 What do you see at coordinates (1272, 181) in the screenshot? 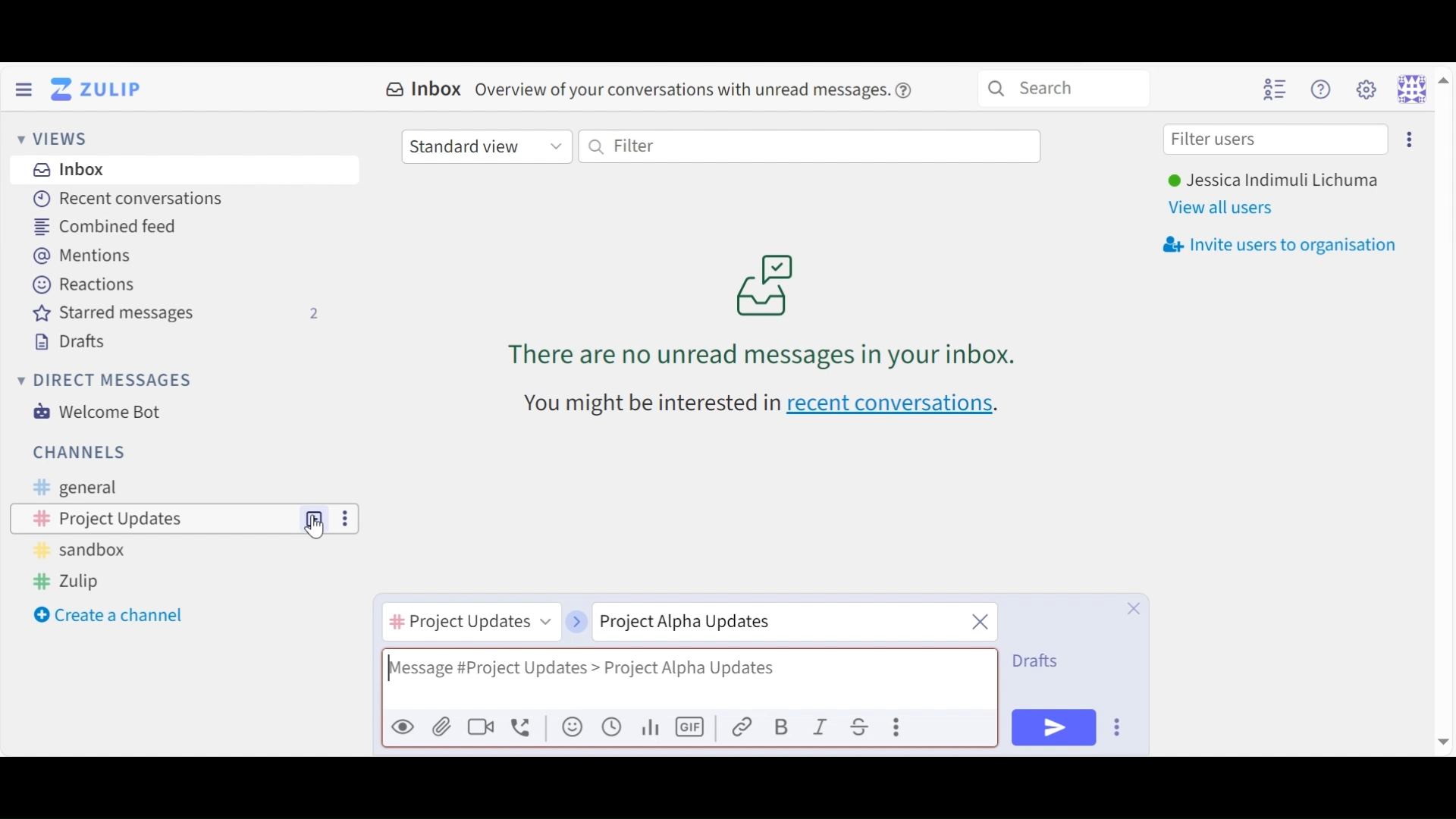
I see `Username` at bounding box center [1272, 181].